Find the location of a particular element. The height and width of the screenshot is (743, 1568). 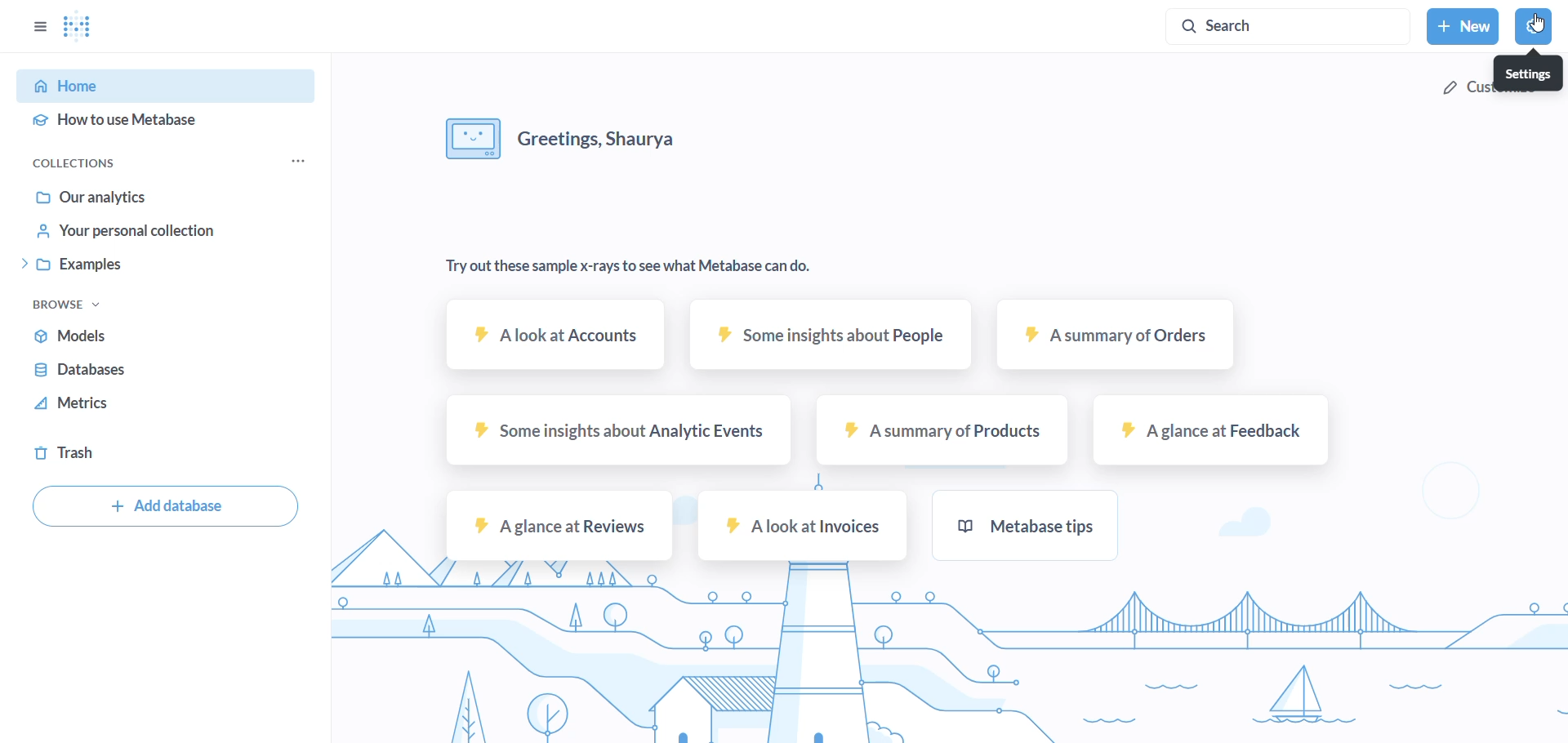

greeting text is located at coordinates (612, 145).